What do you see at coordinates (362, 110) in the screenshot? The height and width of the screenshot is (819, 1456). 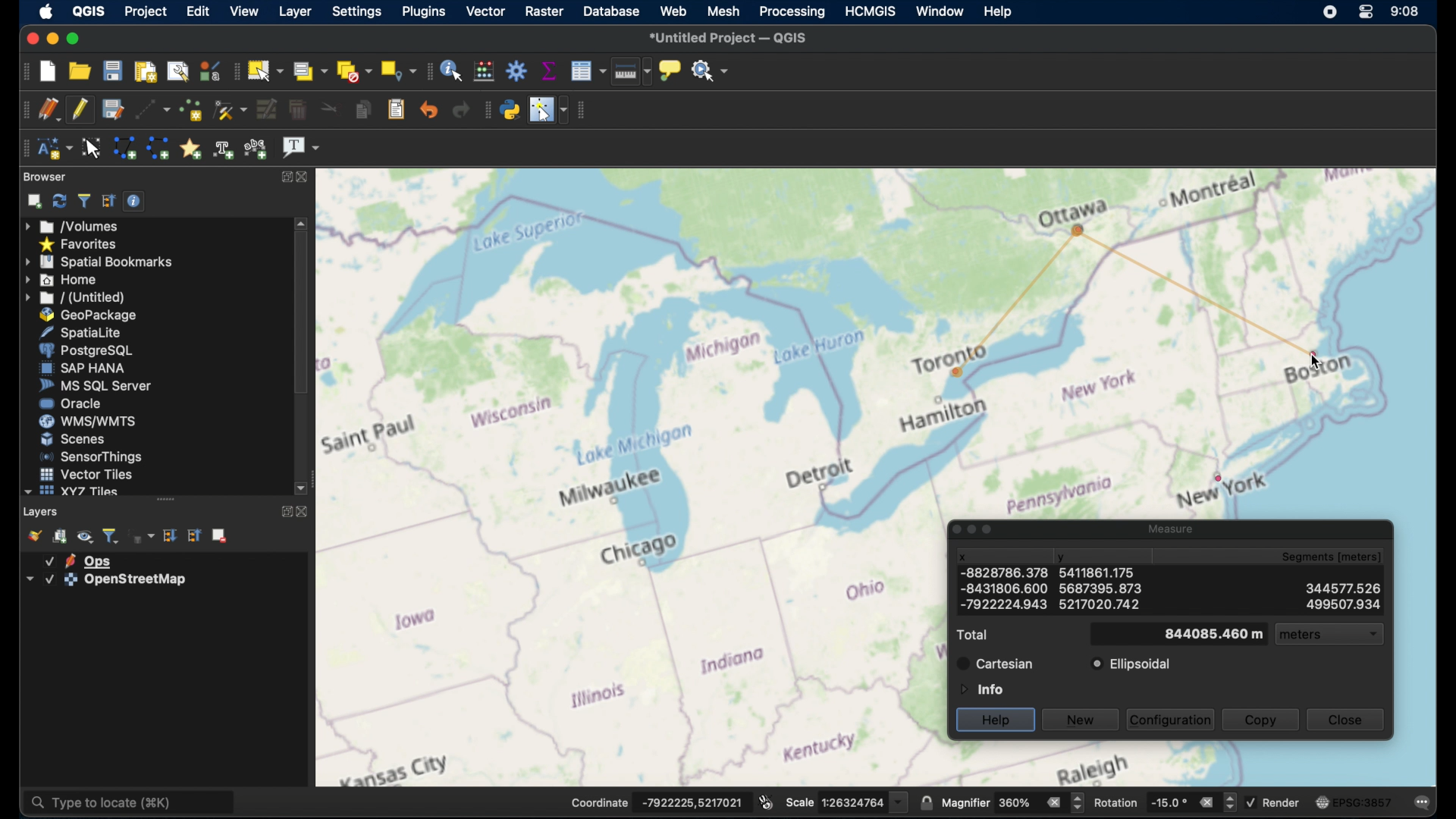 I see `copy features` at bounding box center [362, 110].